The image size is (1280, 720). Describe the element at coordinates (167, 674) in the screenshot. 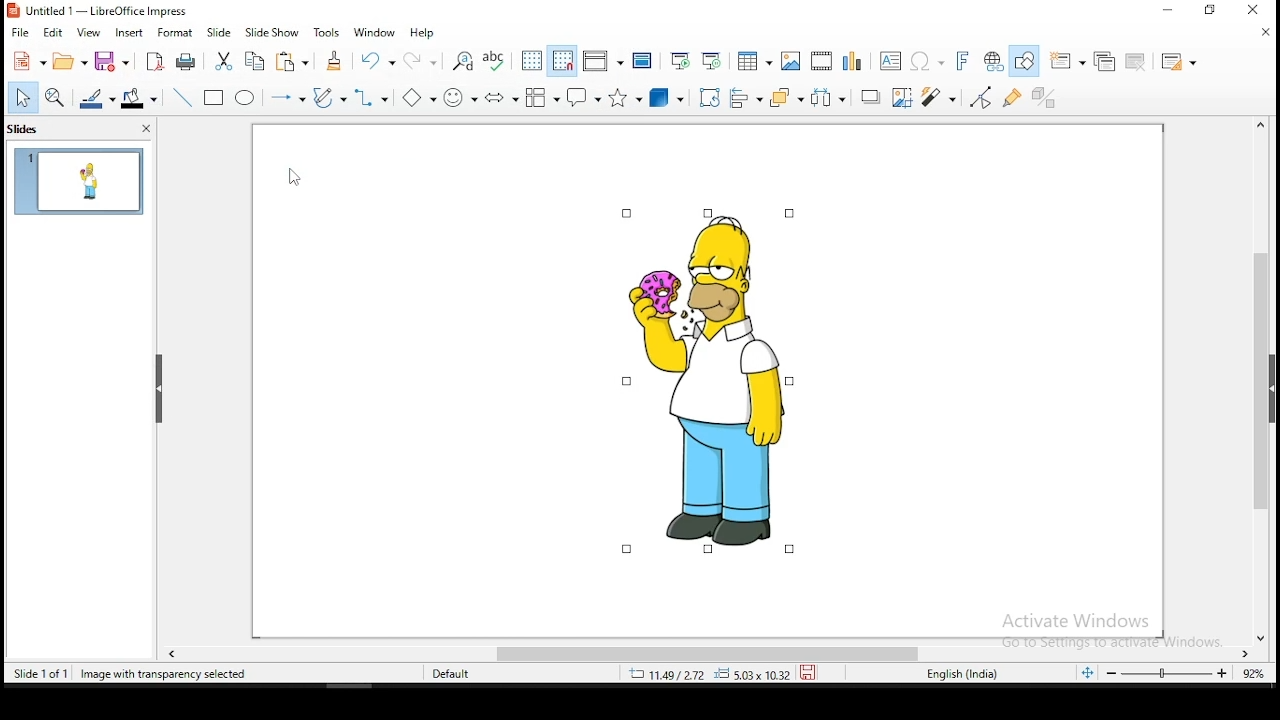

I see `image with transparency selected` at that location.